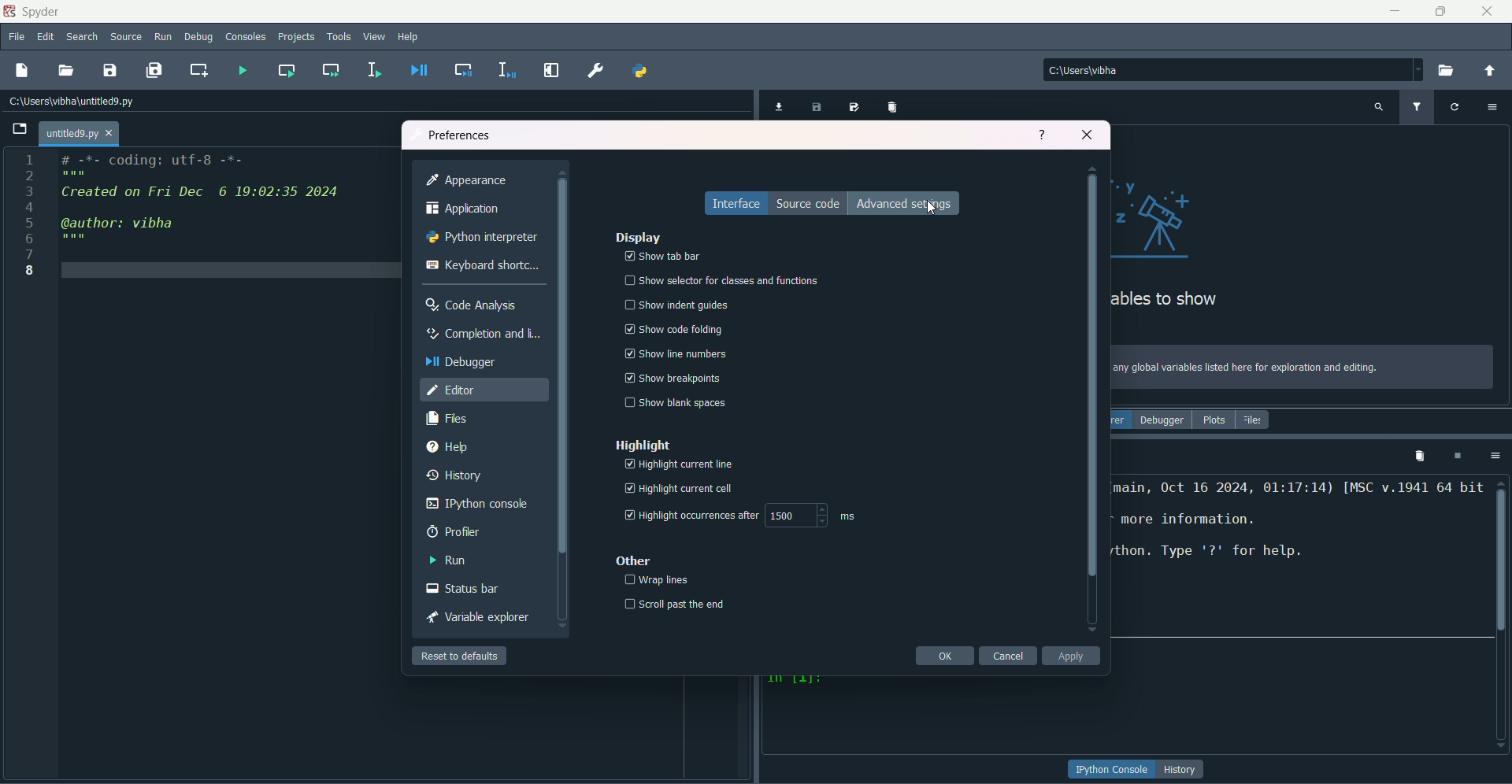 Image resolution: width=1512 pixels, height=784 pixels. I want to click on browse directory, so click(1447, 71).